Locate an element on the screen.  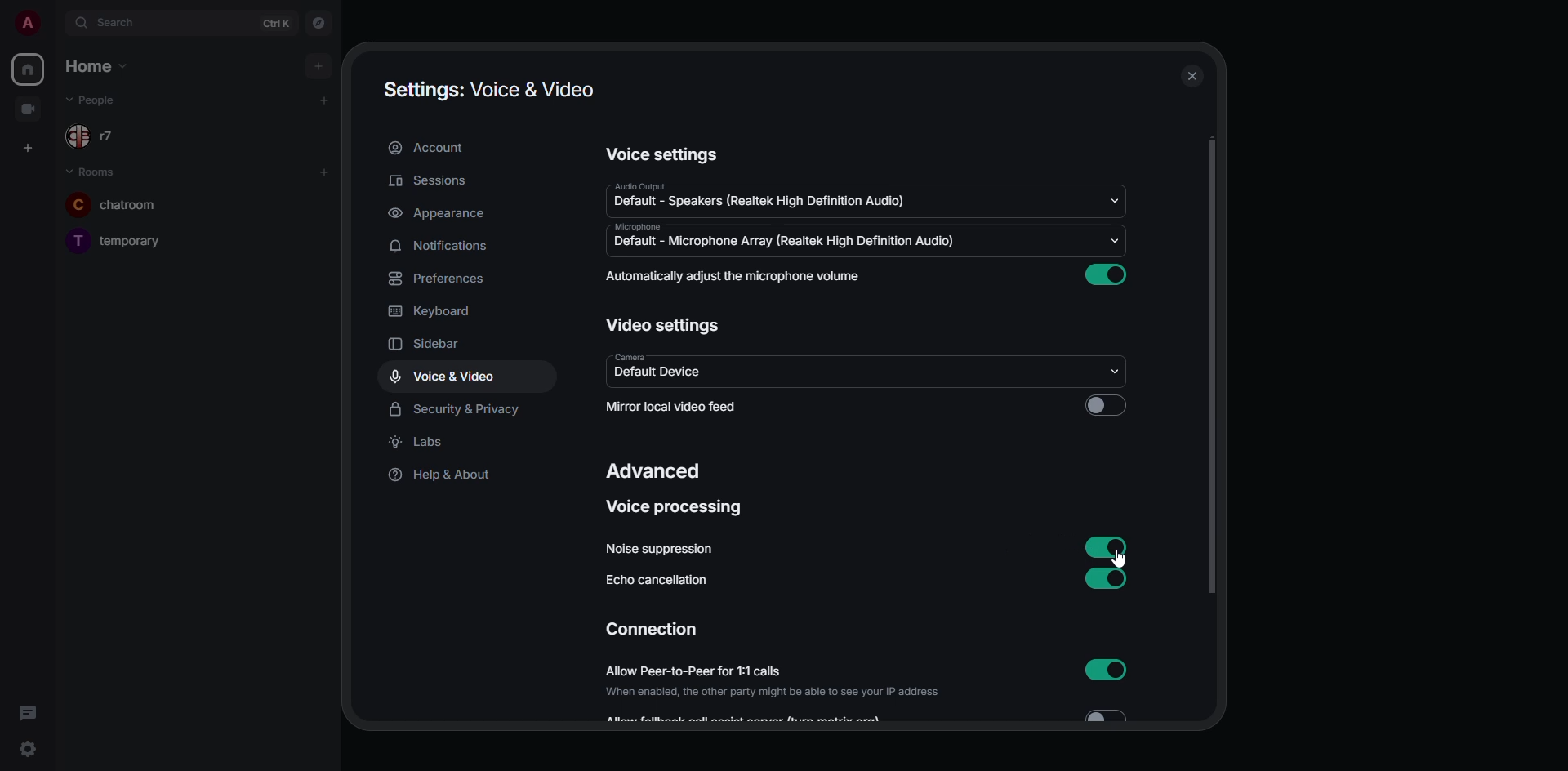
advanced is located at coordinates (650, 473).